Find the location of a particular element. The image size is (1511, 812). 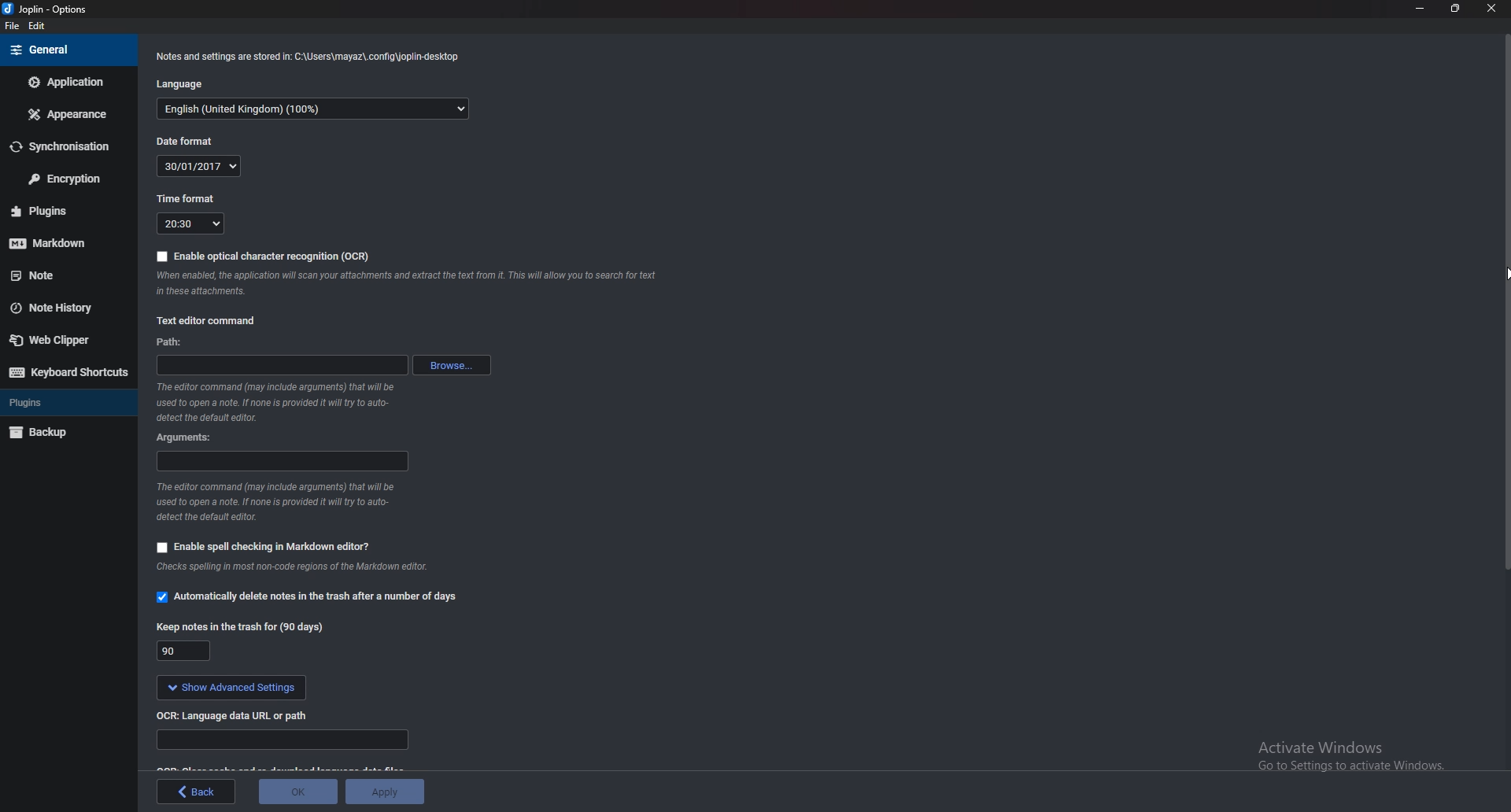

Time format is located at coordinates (188, 201).